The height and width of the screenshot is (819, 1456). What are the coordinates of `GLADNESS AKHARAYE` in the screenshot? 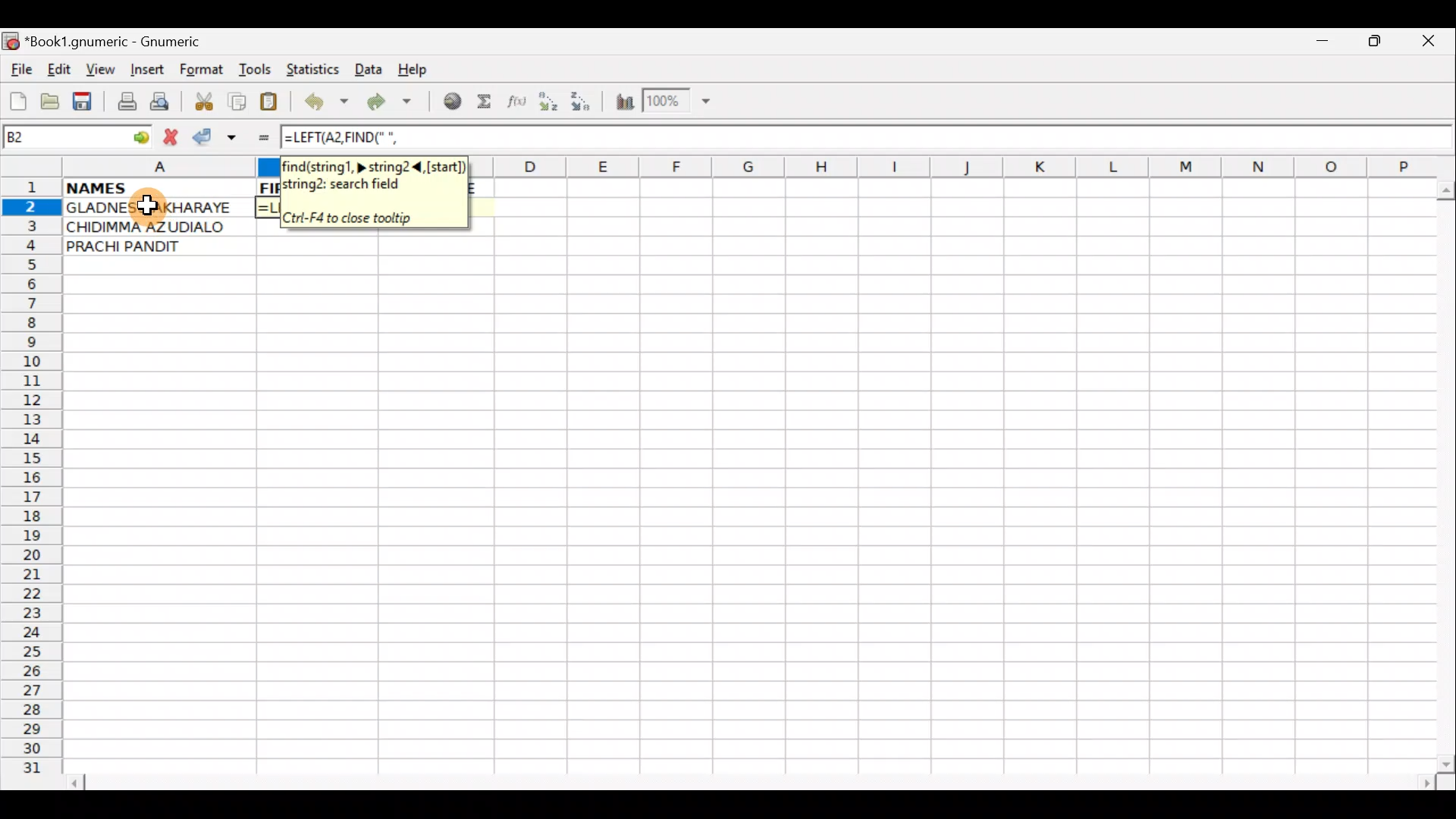 It's located at (156, 207).